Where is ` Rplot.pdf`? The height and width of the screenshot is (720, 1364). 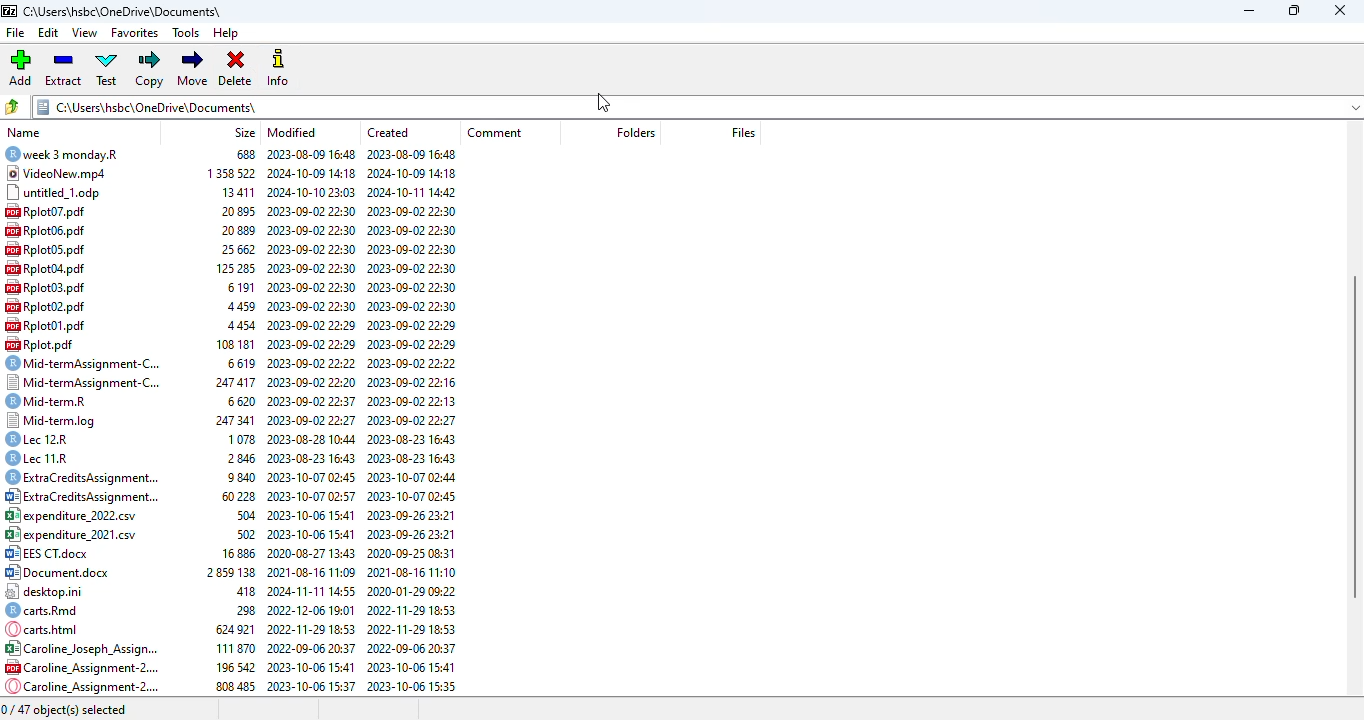
 Rplot.pdf is located at coordinates (40, 346).